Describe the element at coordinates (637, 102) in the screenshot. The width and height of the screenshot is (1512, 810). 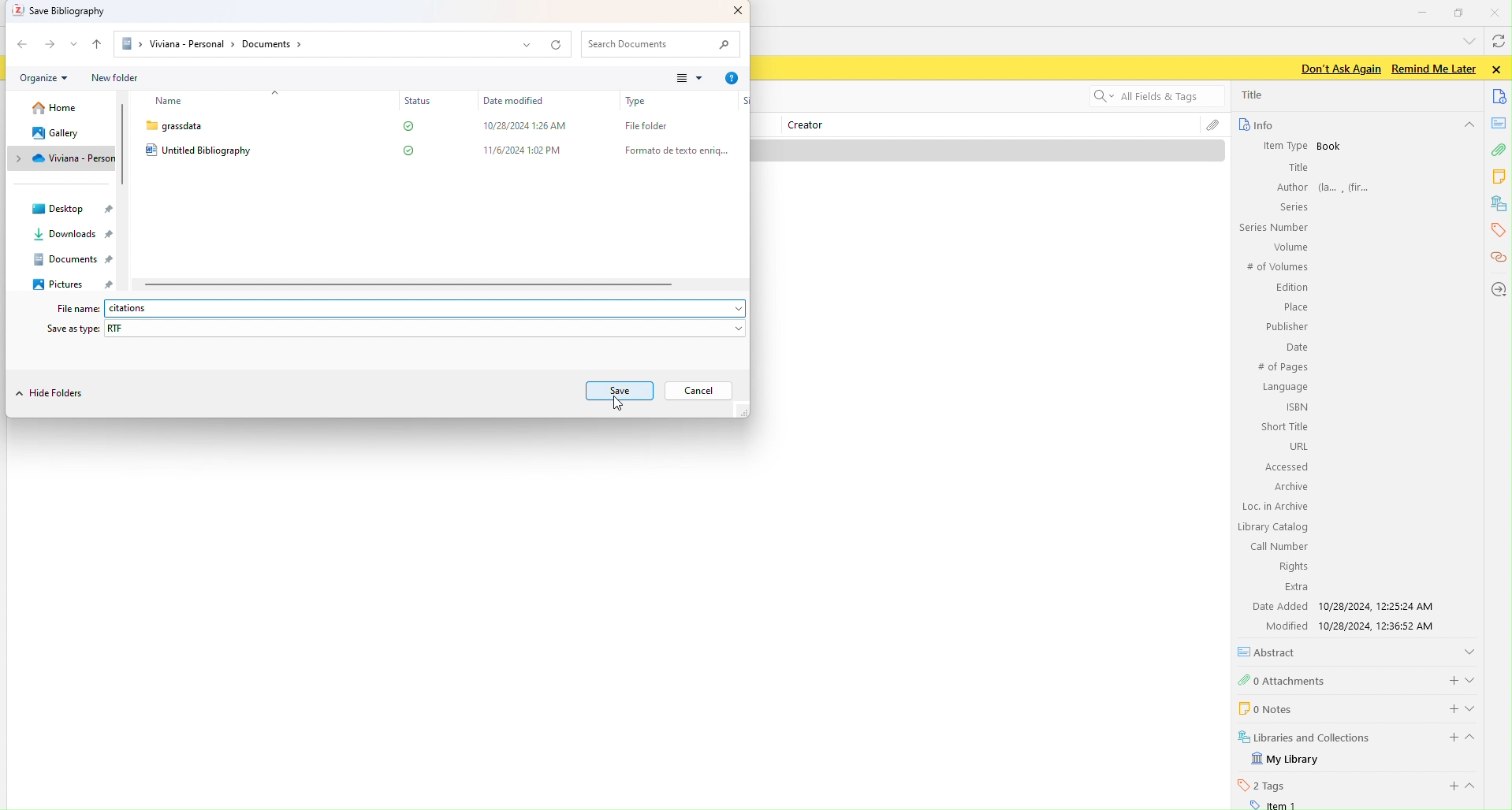
I see `Type` at that location.